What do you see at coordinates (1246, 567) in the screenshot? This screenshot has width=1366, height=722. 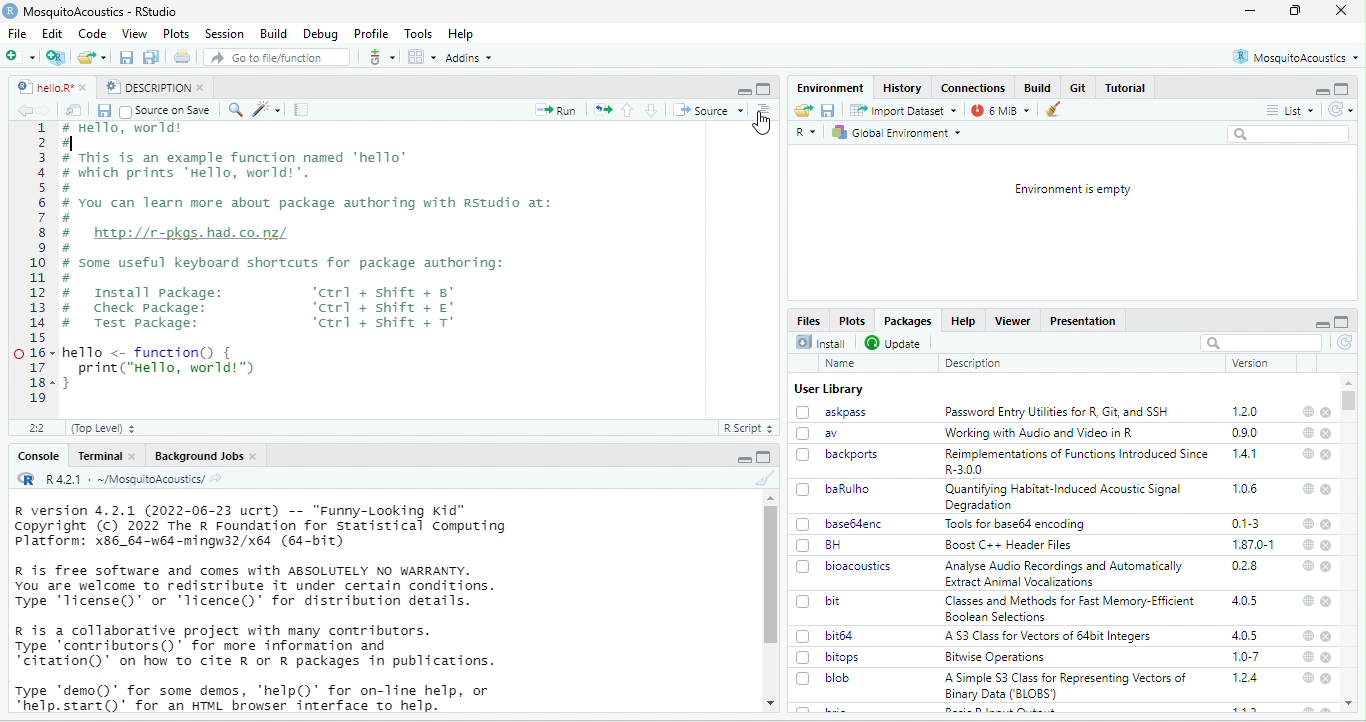 I see `0.2.8` at bounding box center [1246, 567].